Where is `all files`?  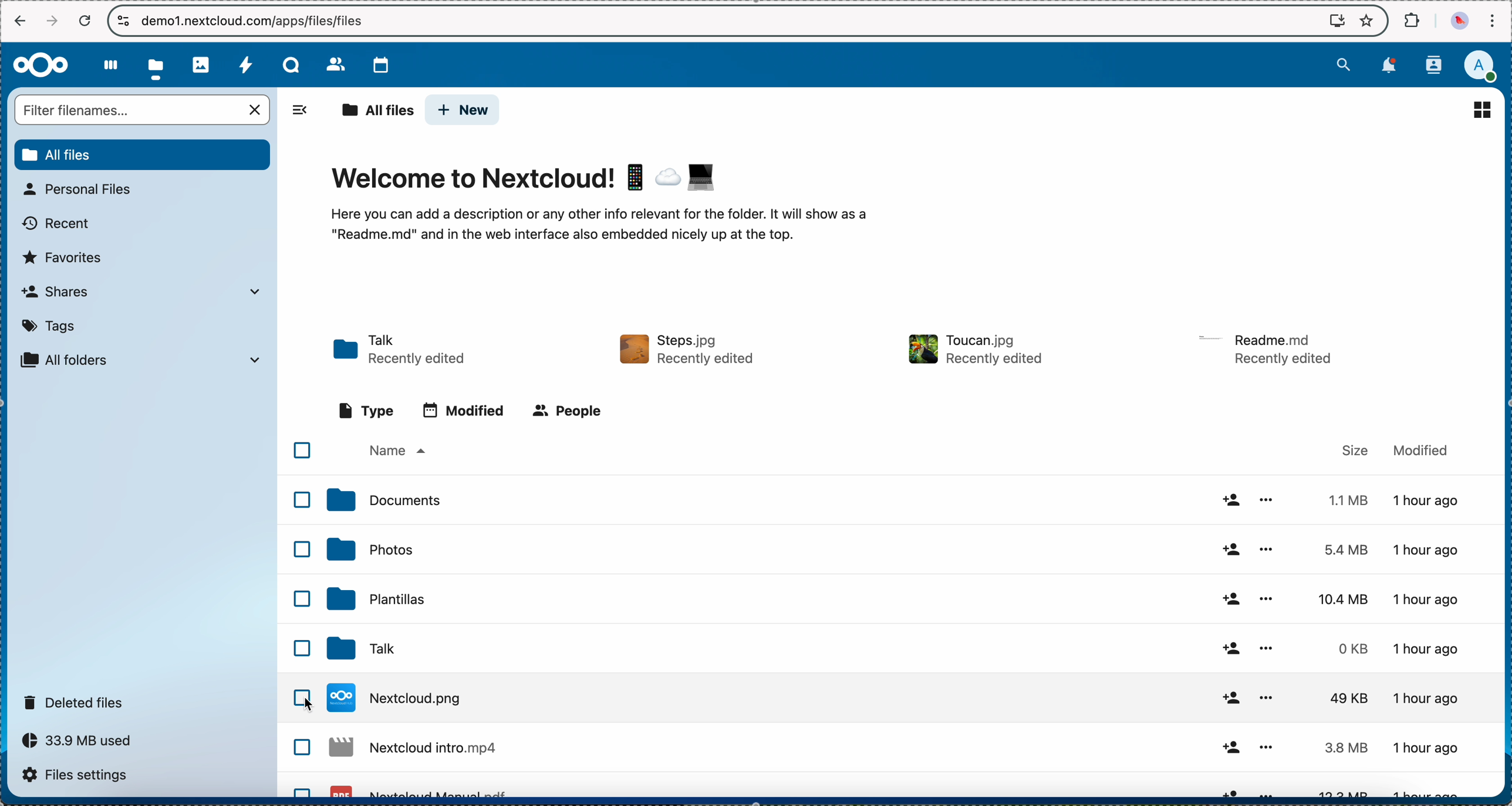
all files is located at coordinates (373, 109).